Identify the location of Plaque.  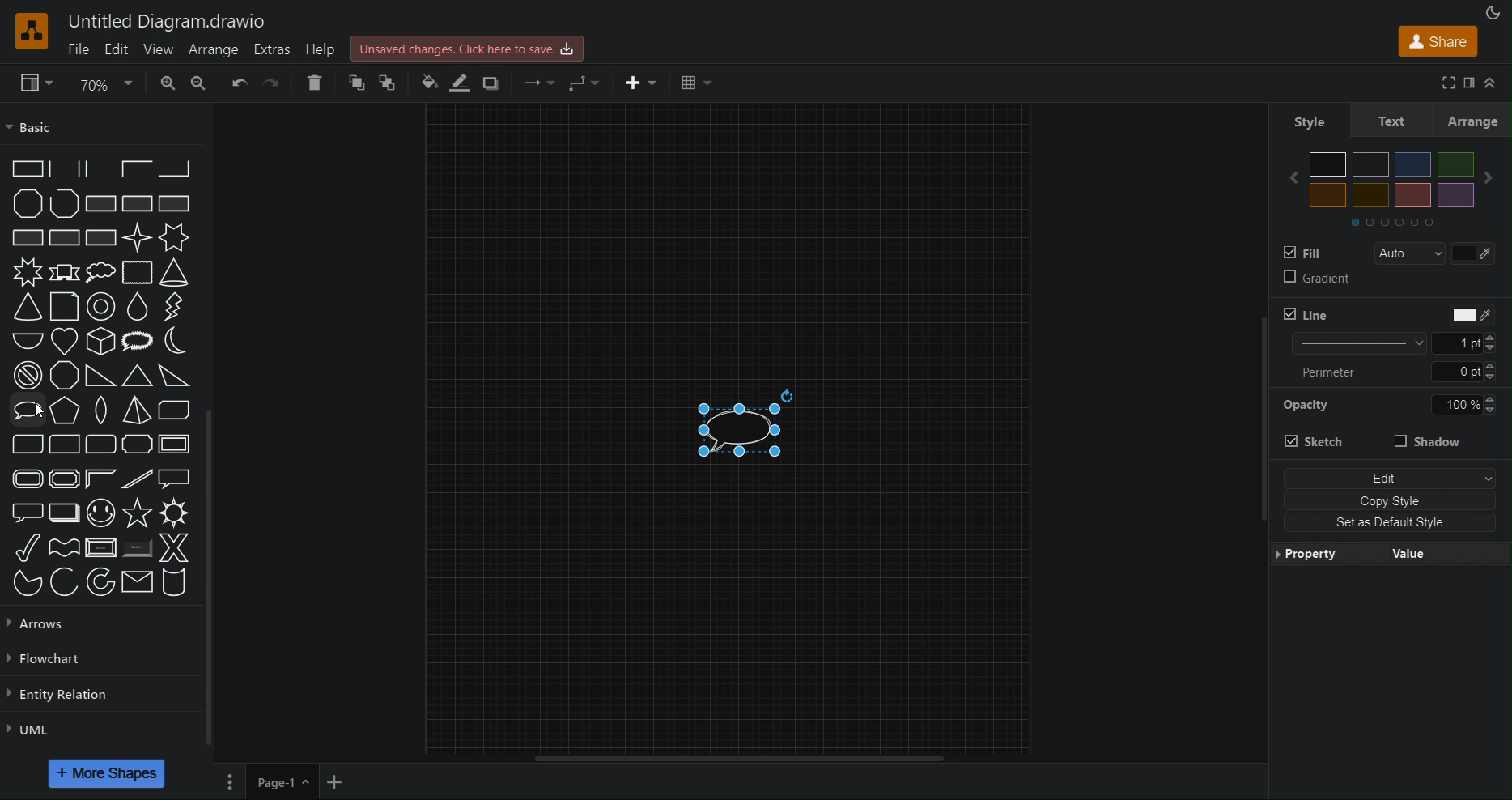
(138, 445).